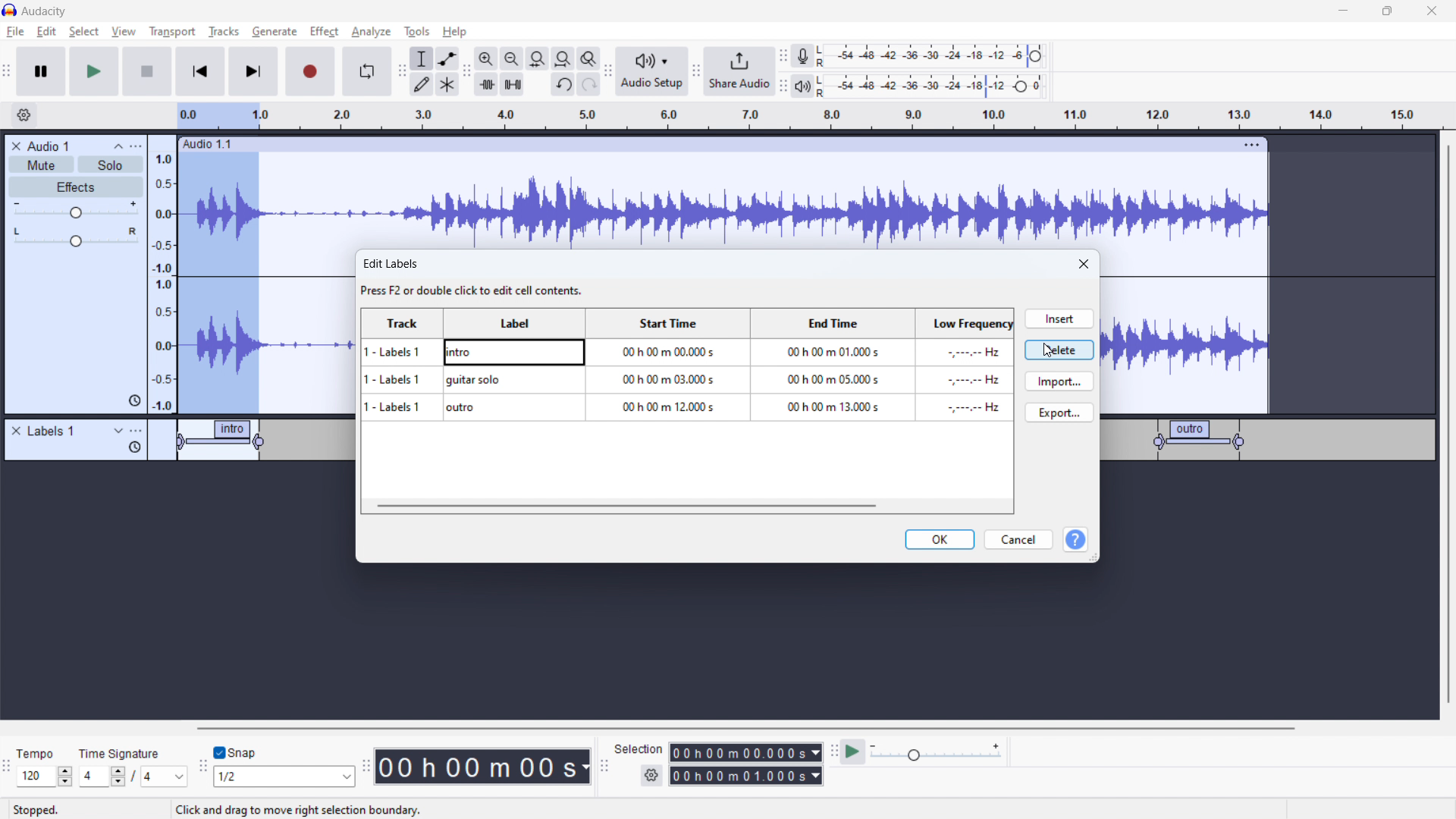 This screenshot has width=1456, height=819. Describe the element at coordinates (483, 765) in the screenshot. I see `timestamp` at that location.